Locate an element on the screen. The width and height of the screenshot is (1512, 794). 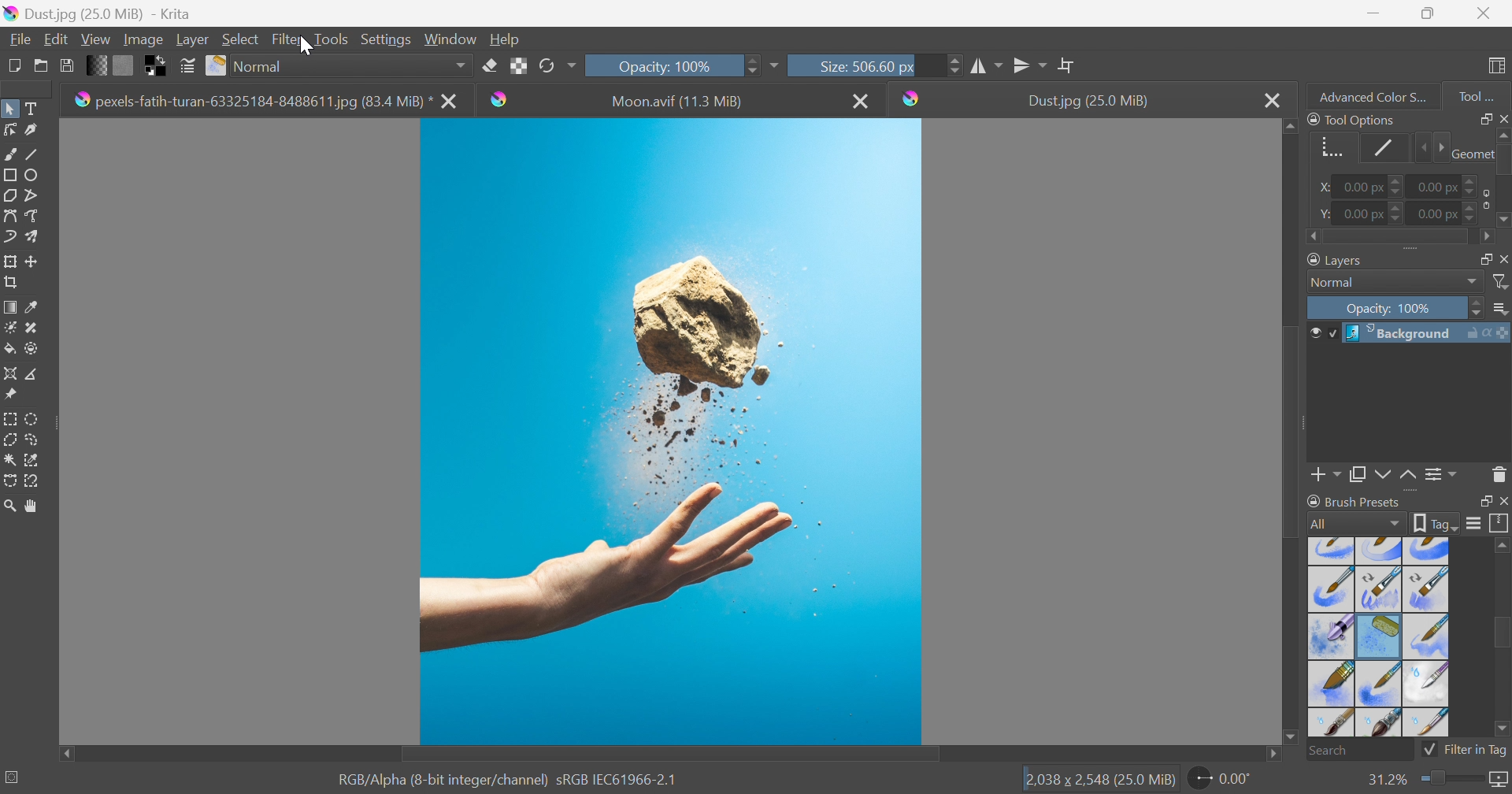
Open an existing document is located at coordinates (42, 66).